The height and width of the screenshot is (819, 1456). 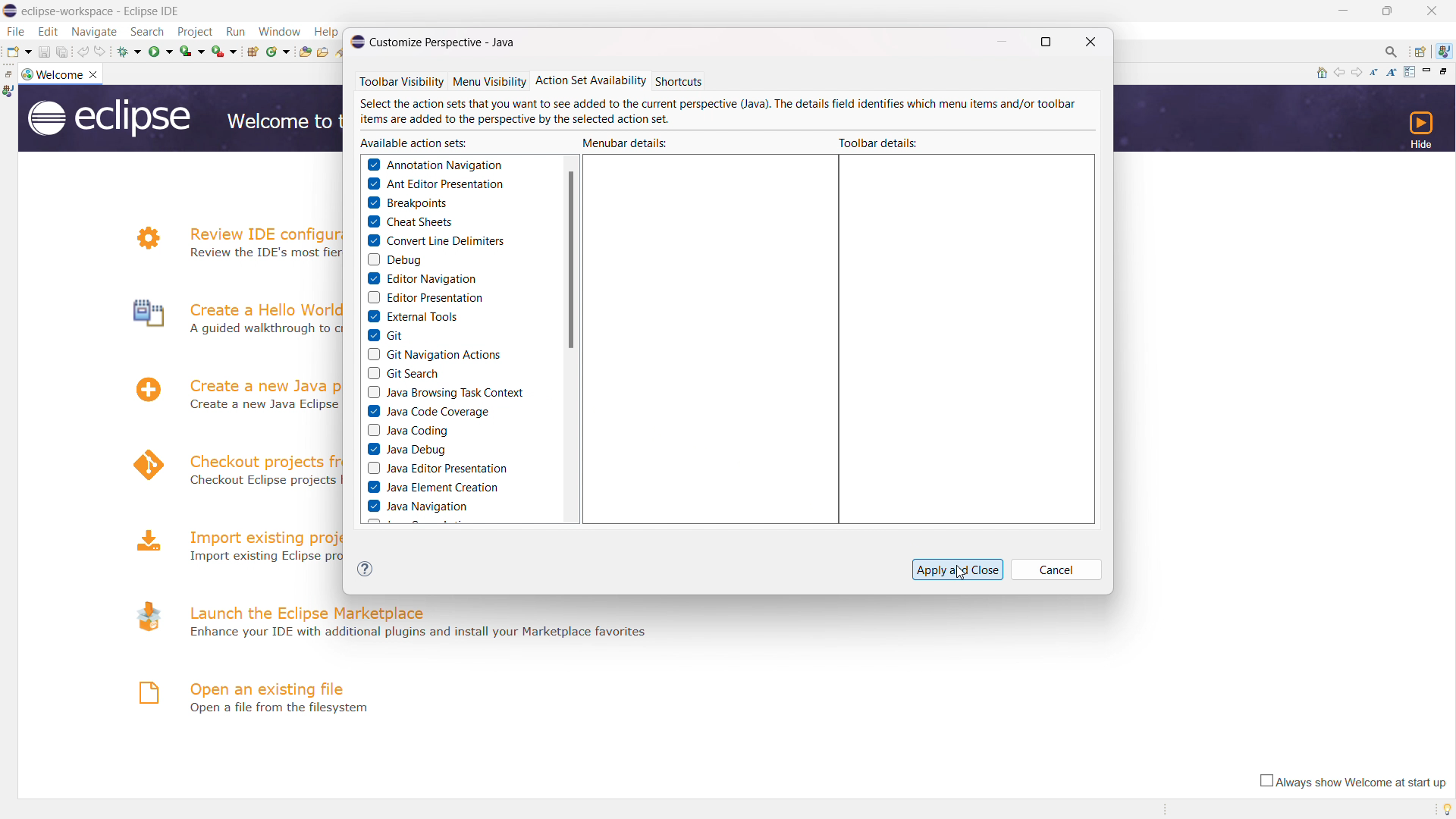 What do you see at coordinates (1389, 11) in the screenshot?
I see `maximize` at bounding box center [1389, 11].